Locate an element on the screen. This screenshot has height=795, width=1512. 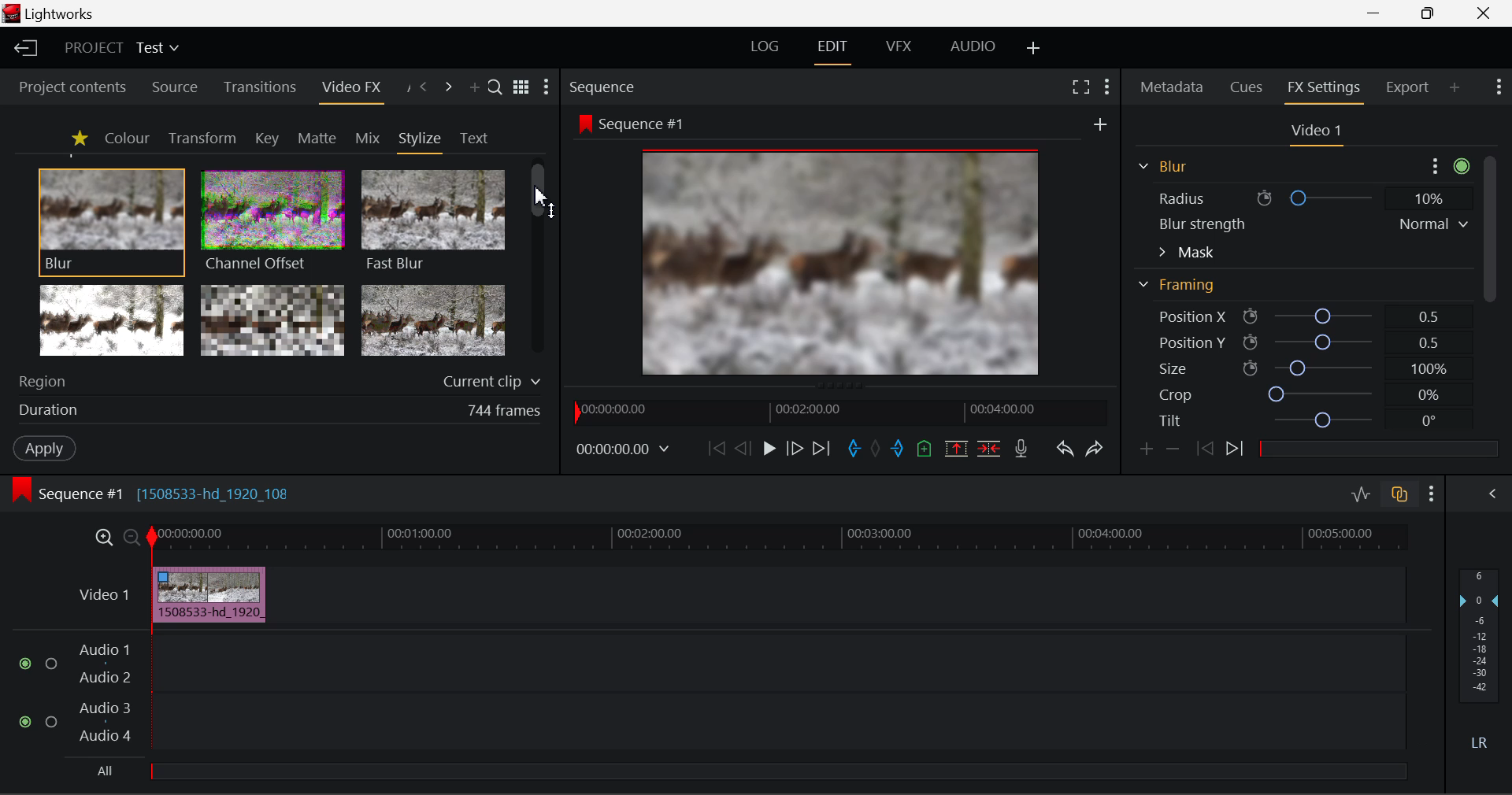
Decibel Level is located at coordinates (1480, 664).